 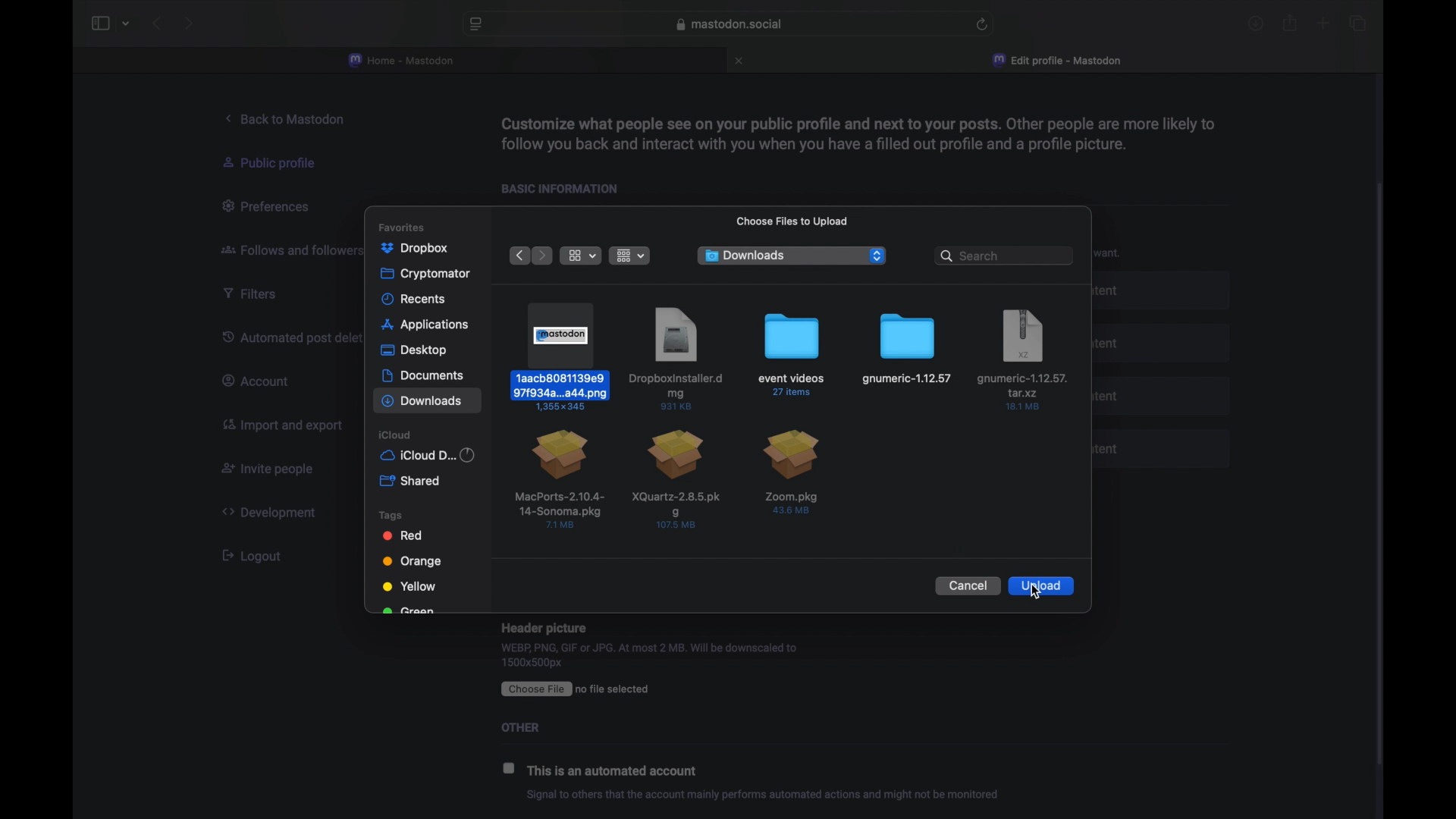 What do you see at coordinates (409, 481) in the screenshot?
I see `shared` at bounding box center [409, 481].